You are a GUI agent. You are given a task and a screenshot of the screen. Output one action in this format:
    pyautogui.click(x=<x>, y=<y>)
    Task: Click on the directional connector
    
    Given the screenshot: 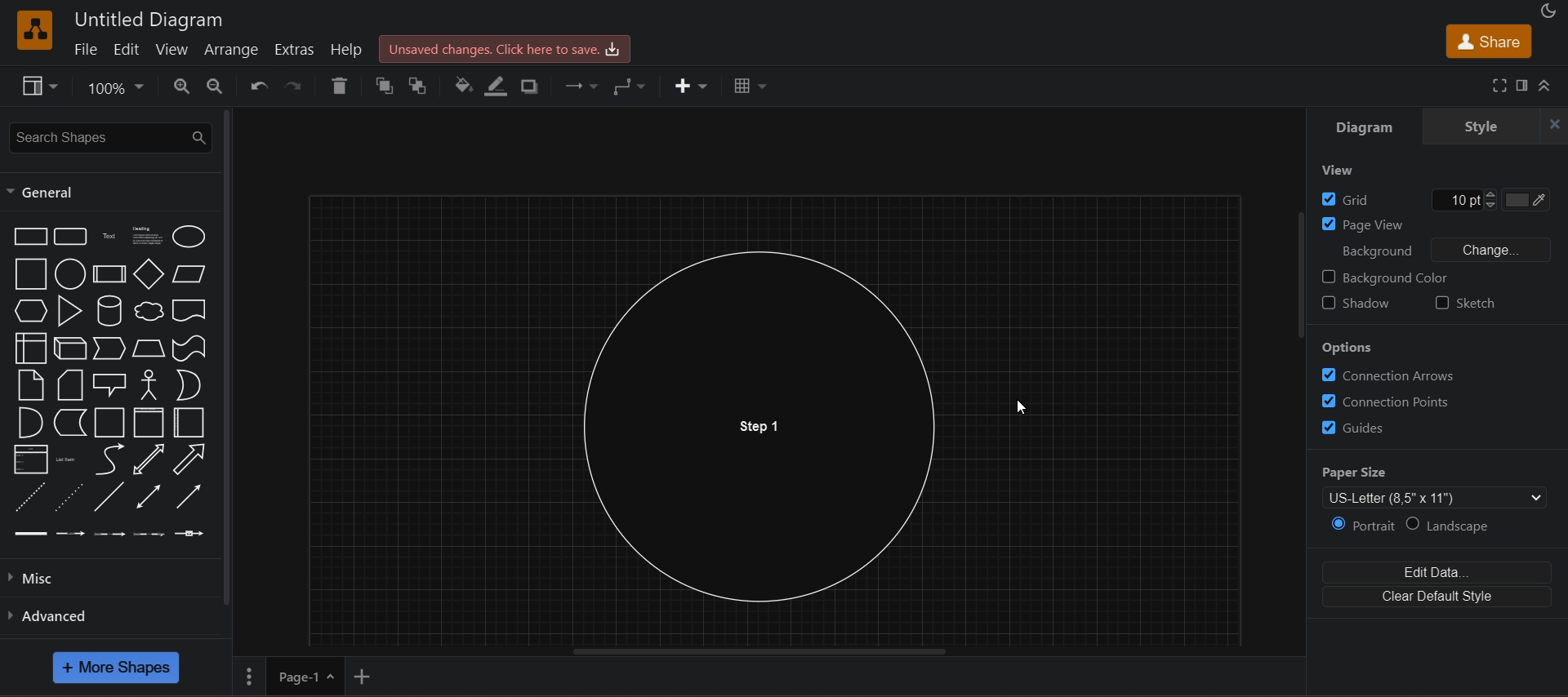 What is the action you would take?
    pyautogui.click(x=196, y=496)
    